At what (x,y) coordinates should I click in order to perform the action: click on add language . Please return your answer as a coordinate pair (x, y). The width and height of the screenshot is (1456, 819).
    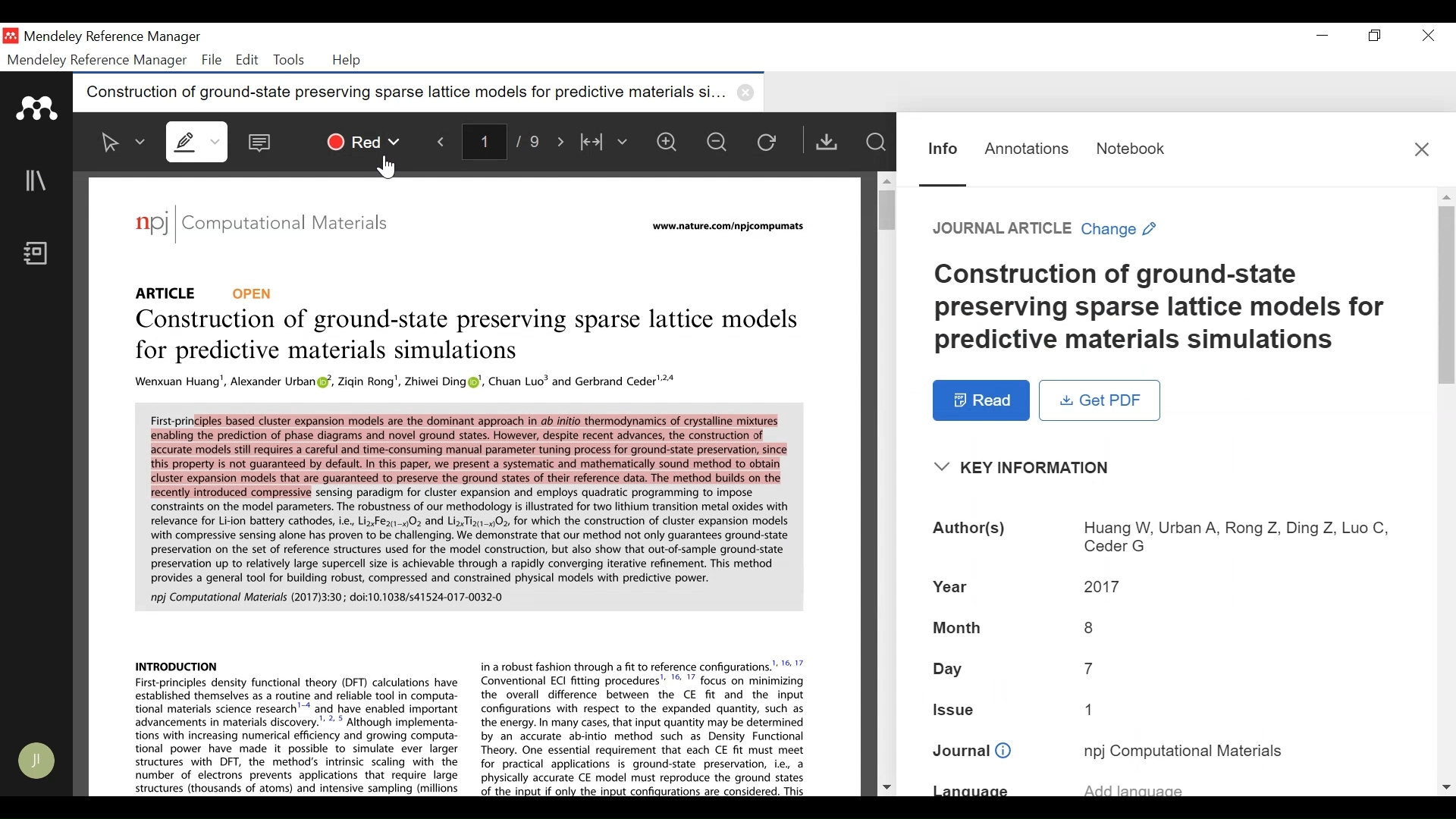
    Looking at the image, I should click on (1247, 785).